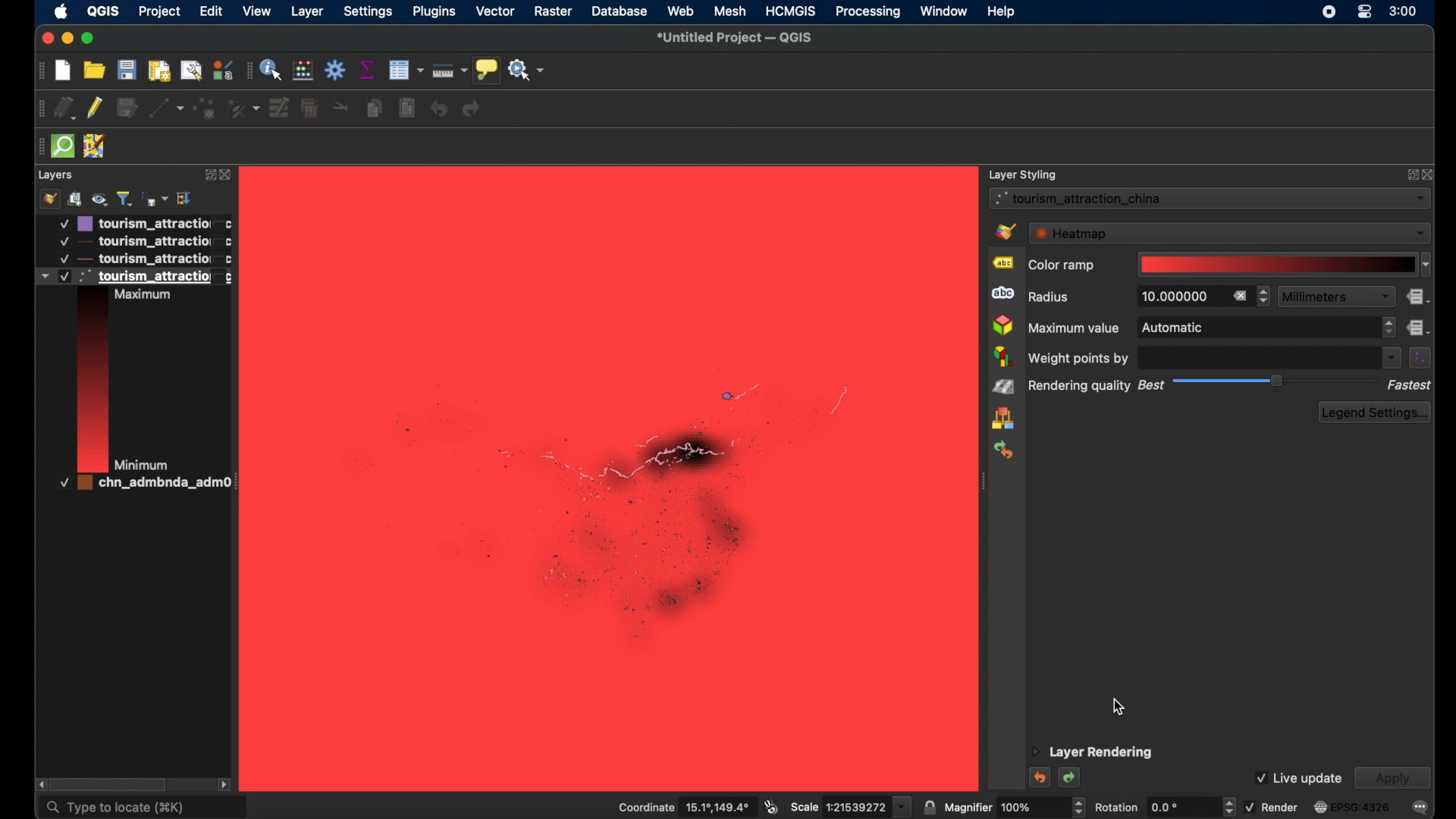 The height and width of the screenshot is (819, 1456). I want to click on tourism, so click(133, 275).